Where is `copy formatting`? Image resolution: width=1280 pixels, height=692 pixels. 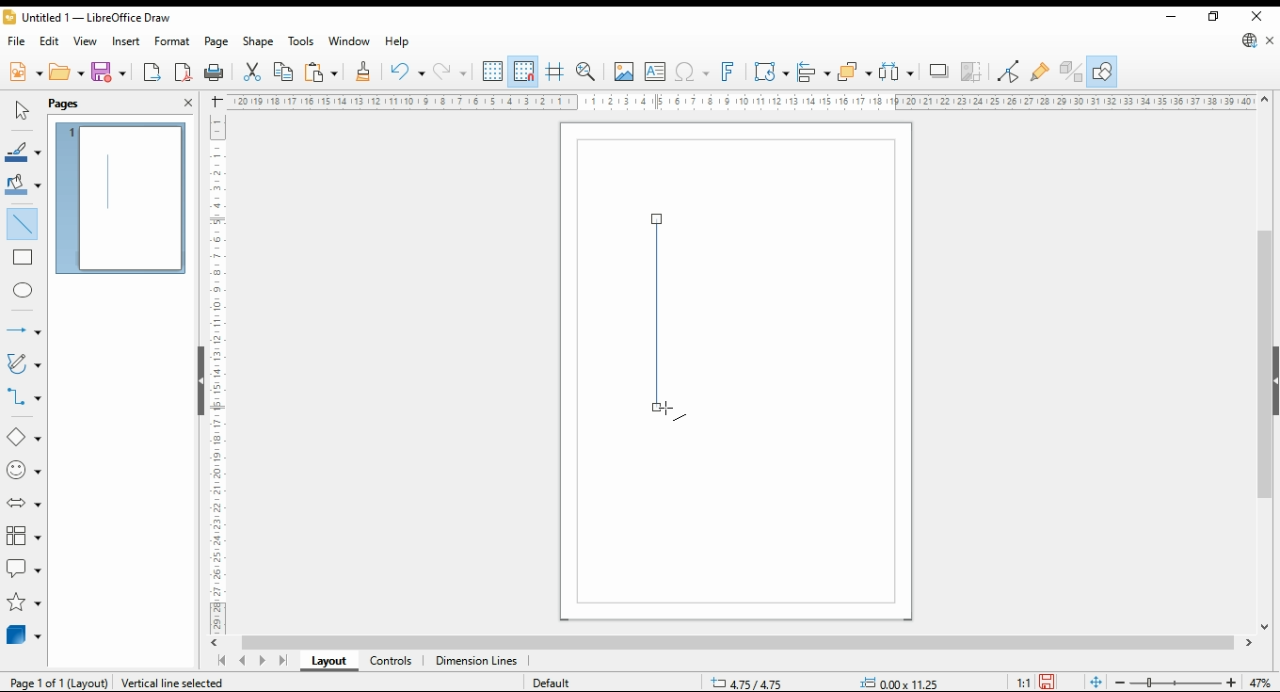 copy formatting is located at coordinates (364, 72).